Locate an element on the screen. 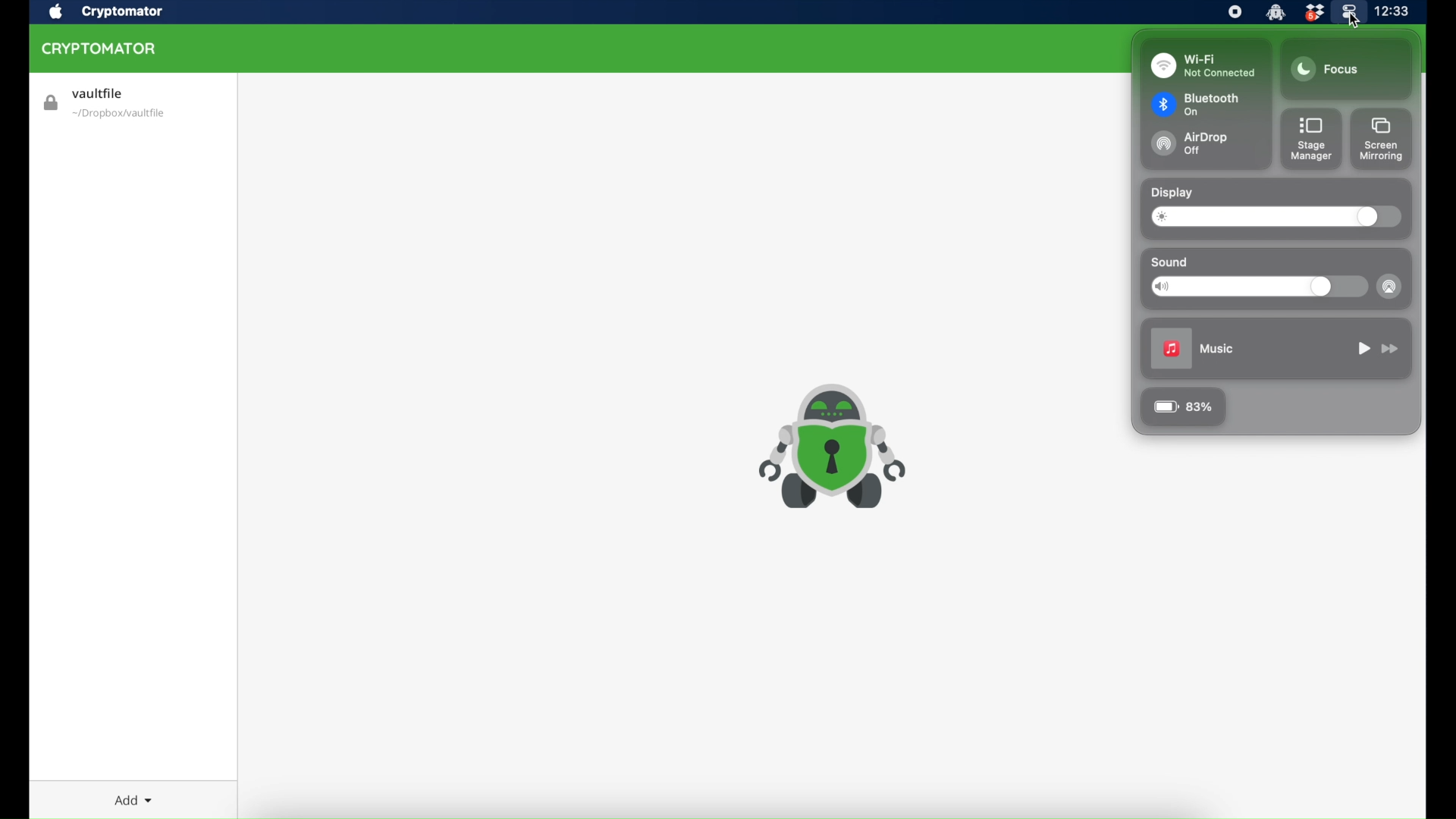 This screenshot has height=819, width=1456. add is located at coordinates (133, 800).